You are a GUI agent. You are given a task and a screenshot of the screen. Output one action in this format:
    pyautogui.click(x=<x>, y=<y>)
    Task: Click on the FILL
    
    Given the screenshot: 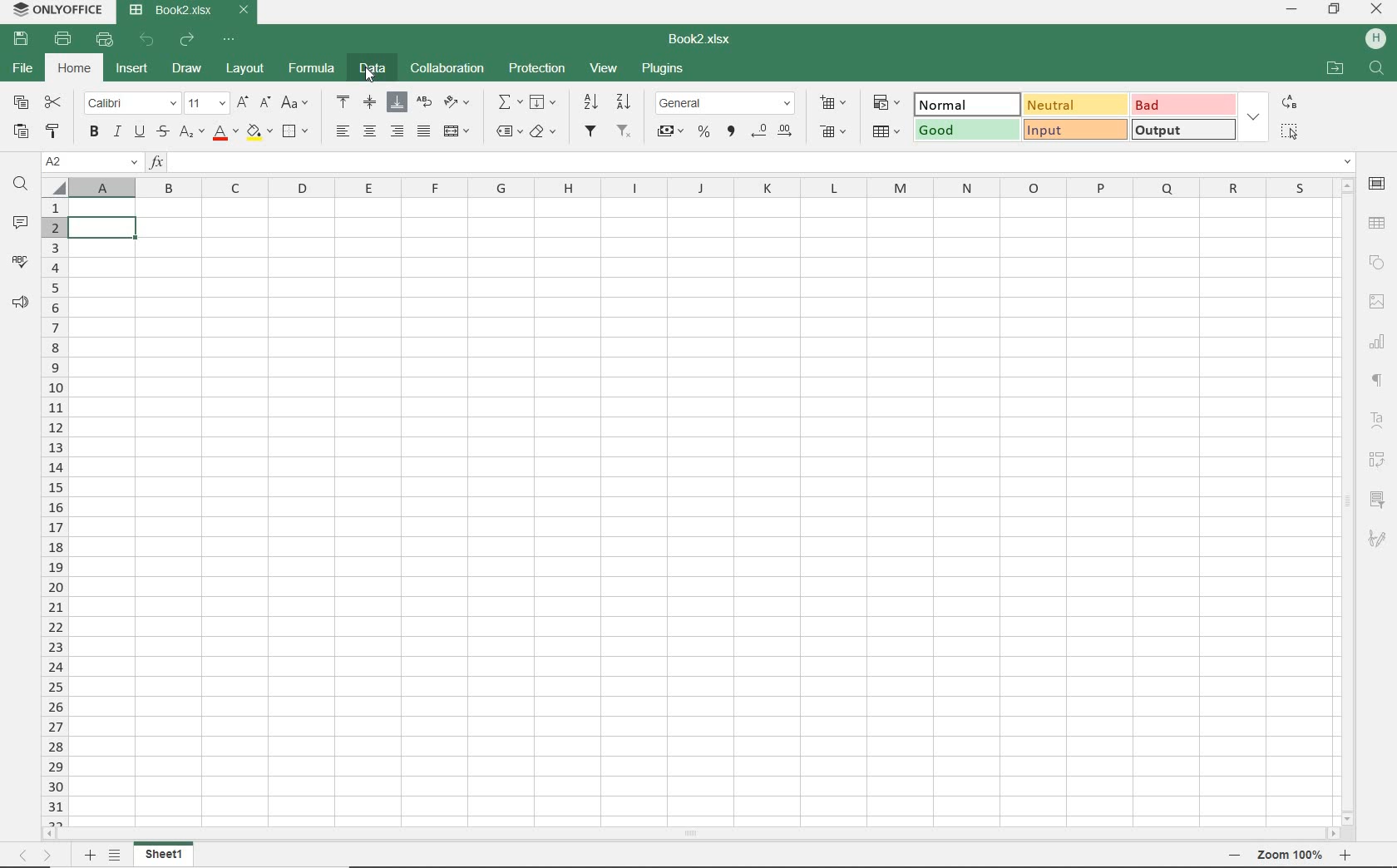 What is the action you would take?
    pyautogui.click(x=545, y=101)
    